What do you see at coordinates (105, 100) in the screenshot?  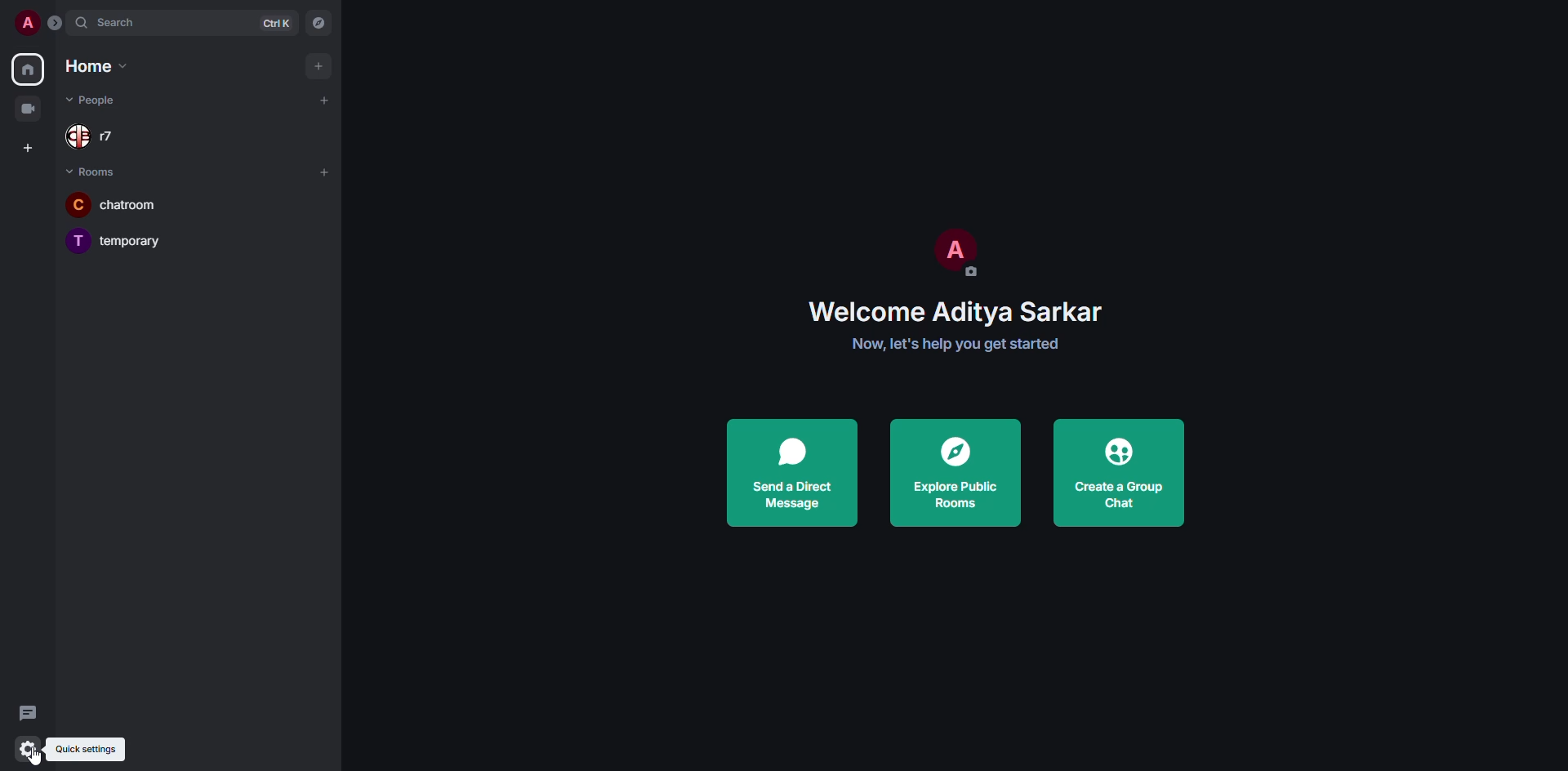 I see `people` at bounding box center [105, 100].